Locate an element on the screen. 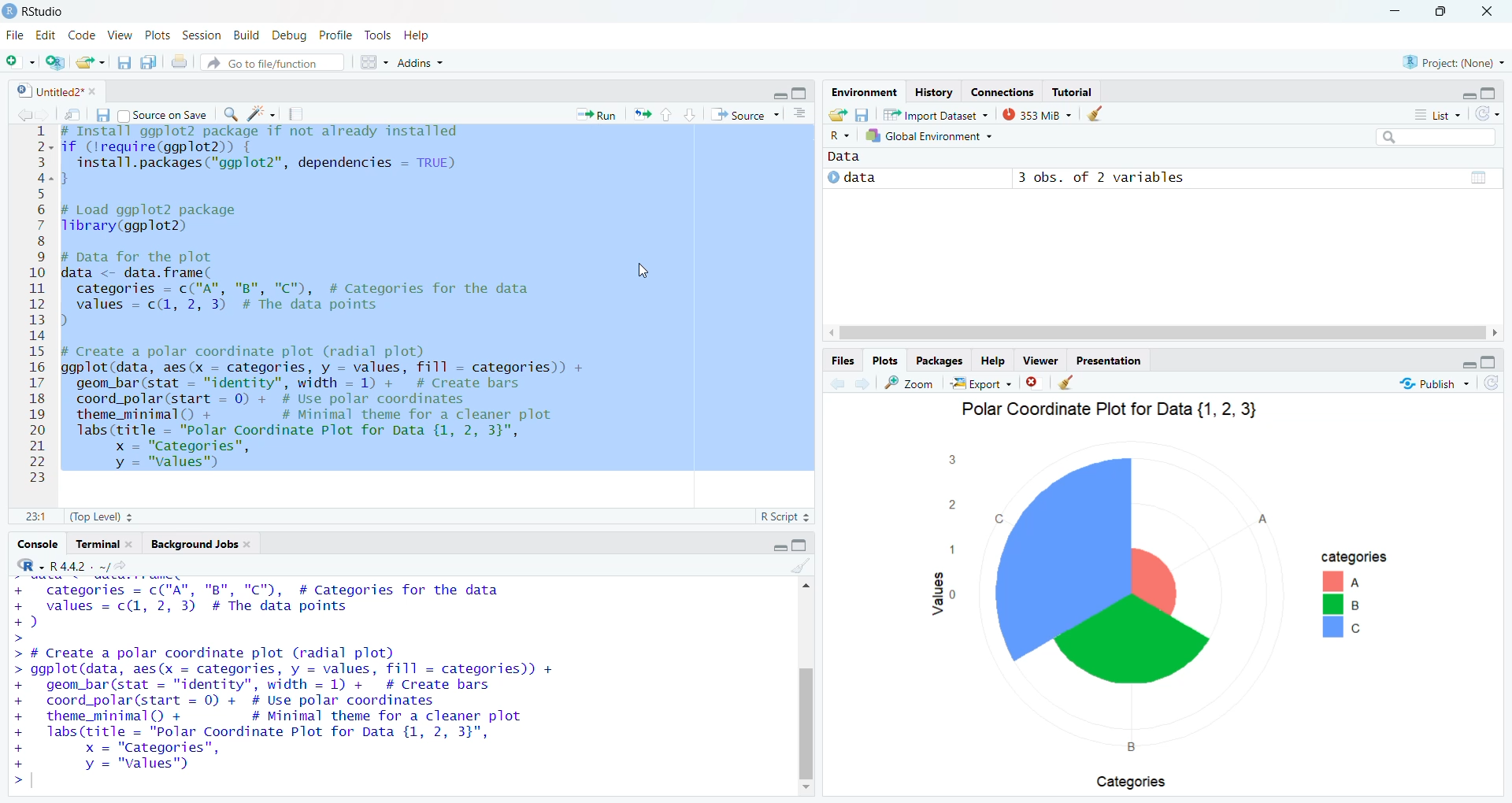 The height and width of the screenshot is (803, 1512). refresh is located at coordinates (1488, 114).